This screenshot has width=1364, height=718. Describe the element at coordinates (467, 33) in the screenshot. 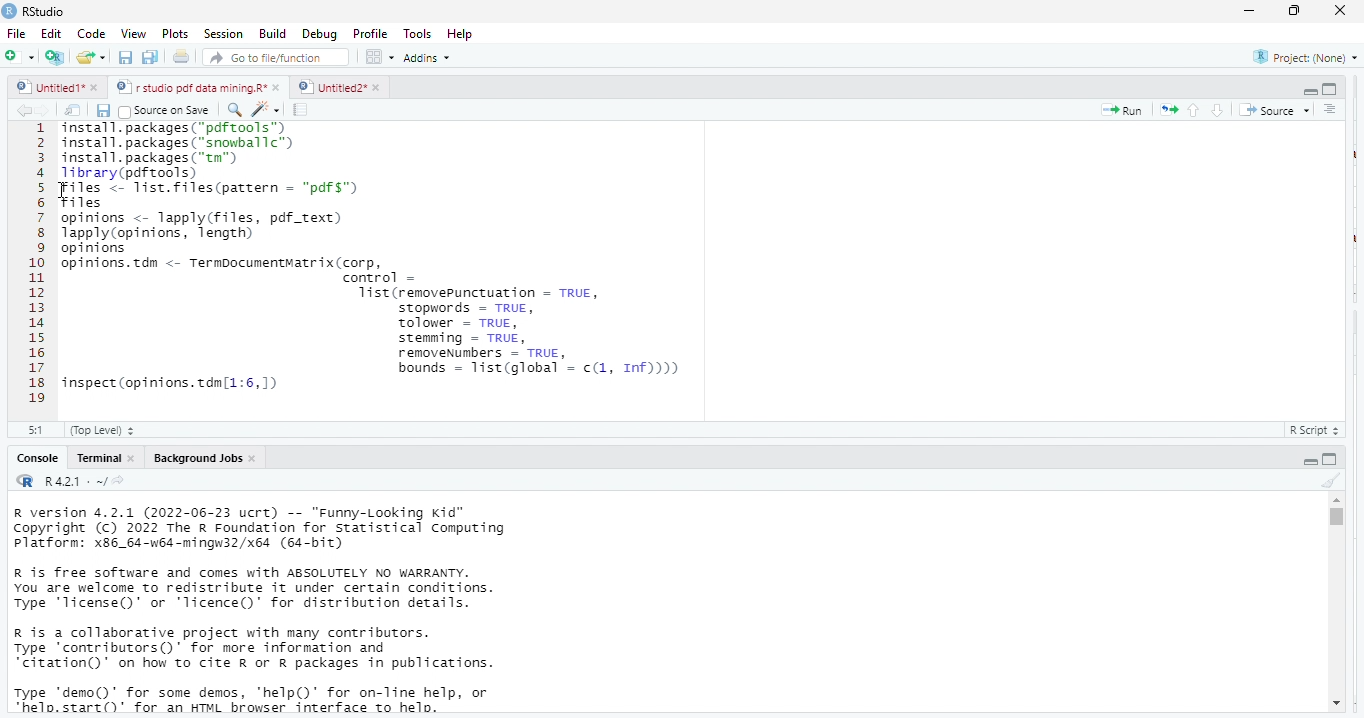

I see `help` at that location.